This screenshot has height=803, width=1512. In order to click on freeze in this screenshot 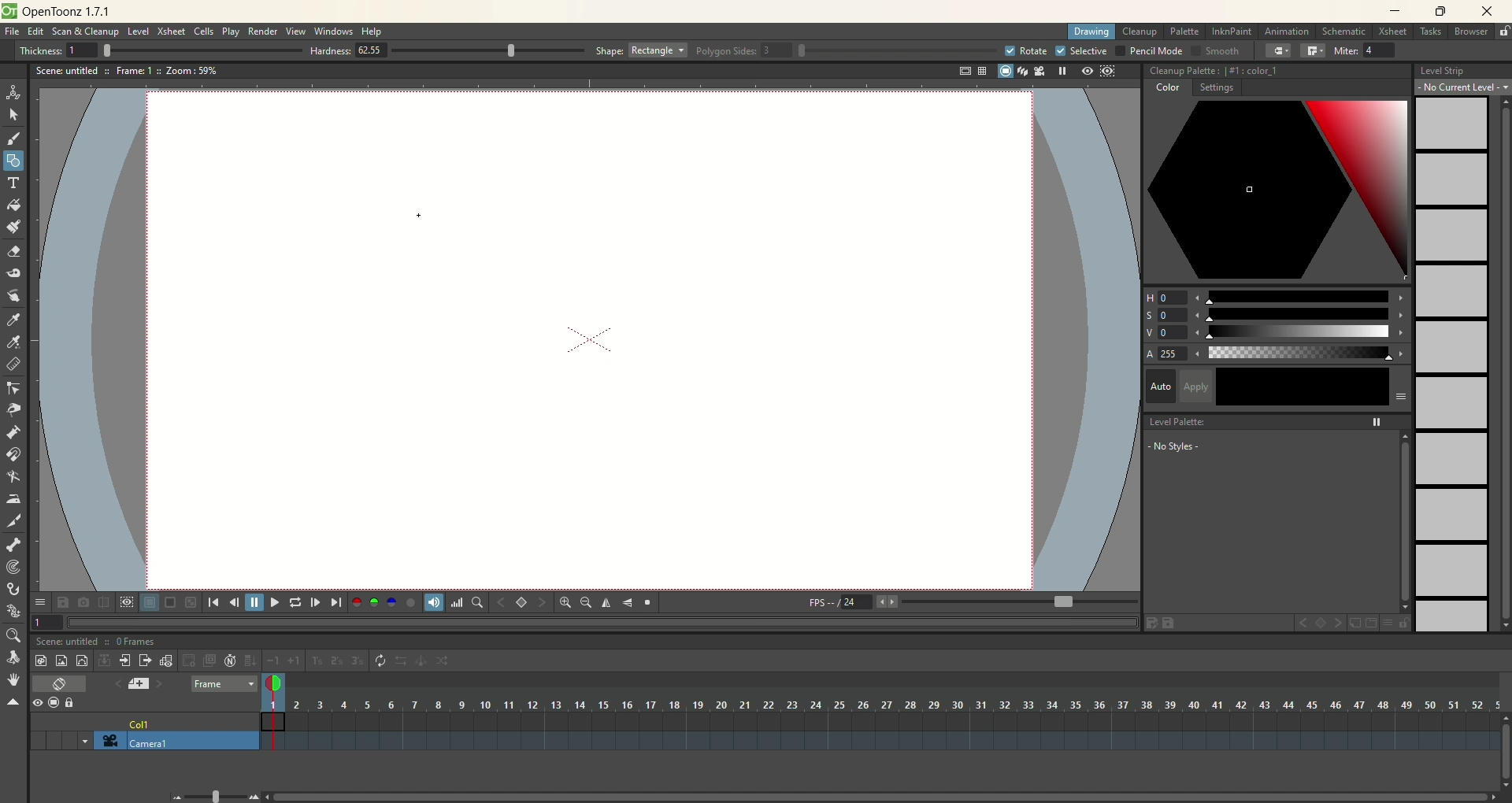, I will do `click(1059, 71)`.